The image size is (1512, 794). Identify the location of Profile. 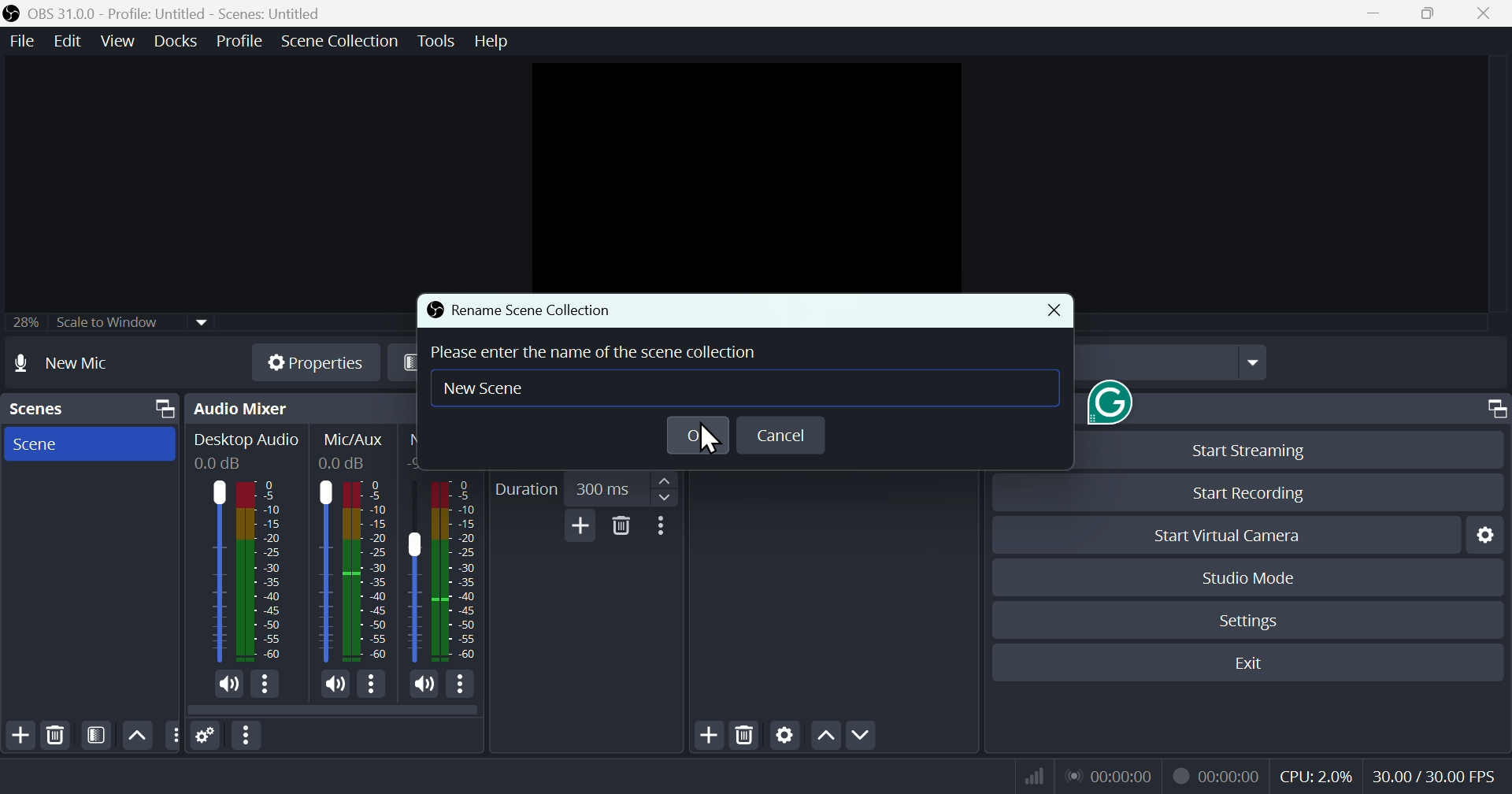
(236, 43).